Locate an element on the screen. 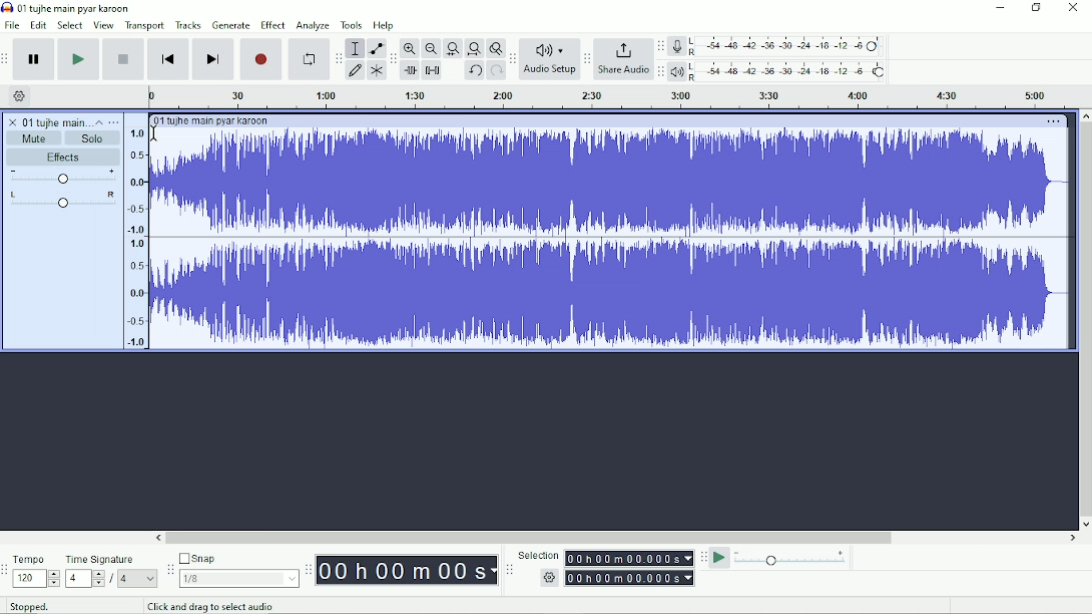 Image resolution: width=1092 pixels, height=614 pixels. Close is located at coordinates (1072, 8).